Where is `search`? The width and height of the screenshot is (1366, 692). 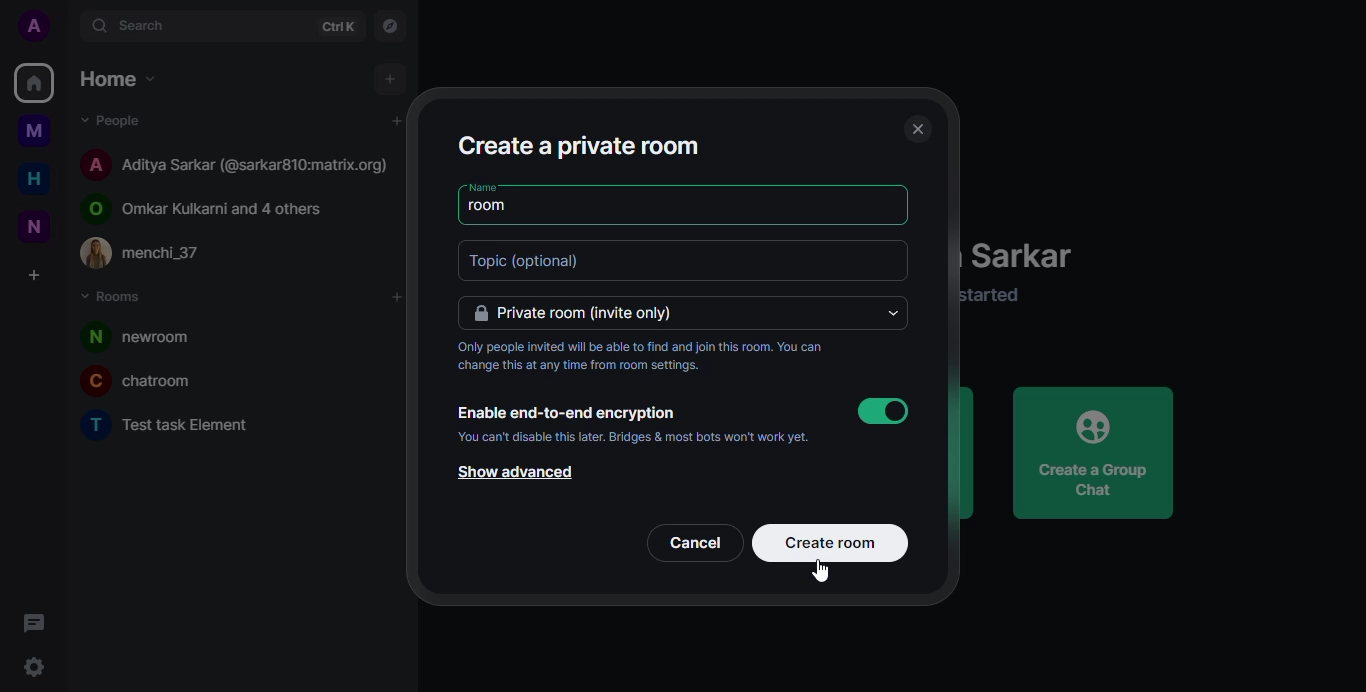 search is located at coordinates (155, 25).